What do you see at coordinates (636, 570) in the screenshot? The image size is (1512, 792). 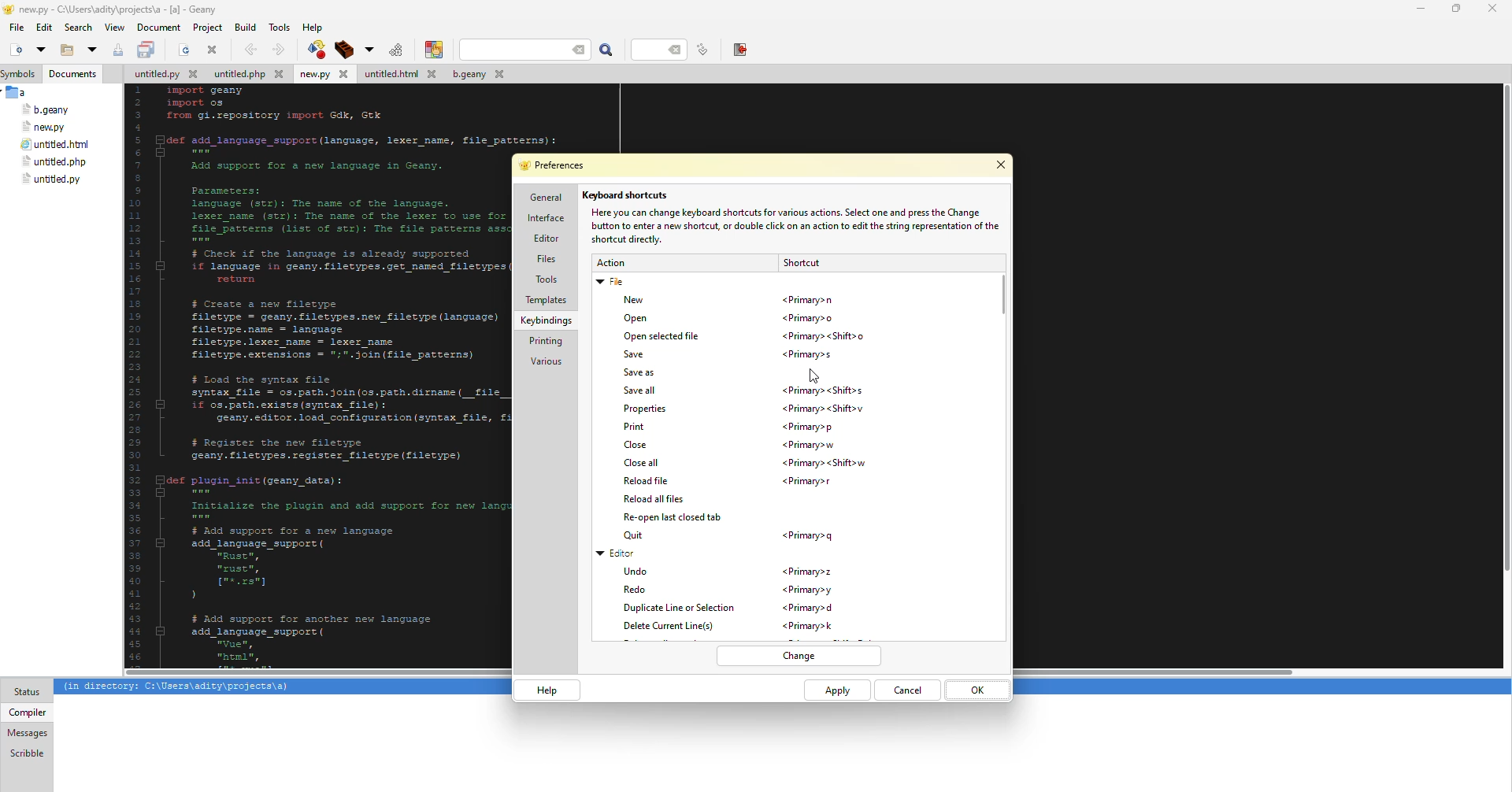 I see `undo` at bounding box center [636, 570].